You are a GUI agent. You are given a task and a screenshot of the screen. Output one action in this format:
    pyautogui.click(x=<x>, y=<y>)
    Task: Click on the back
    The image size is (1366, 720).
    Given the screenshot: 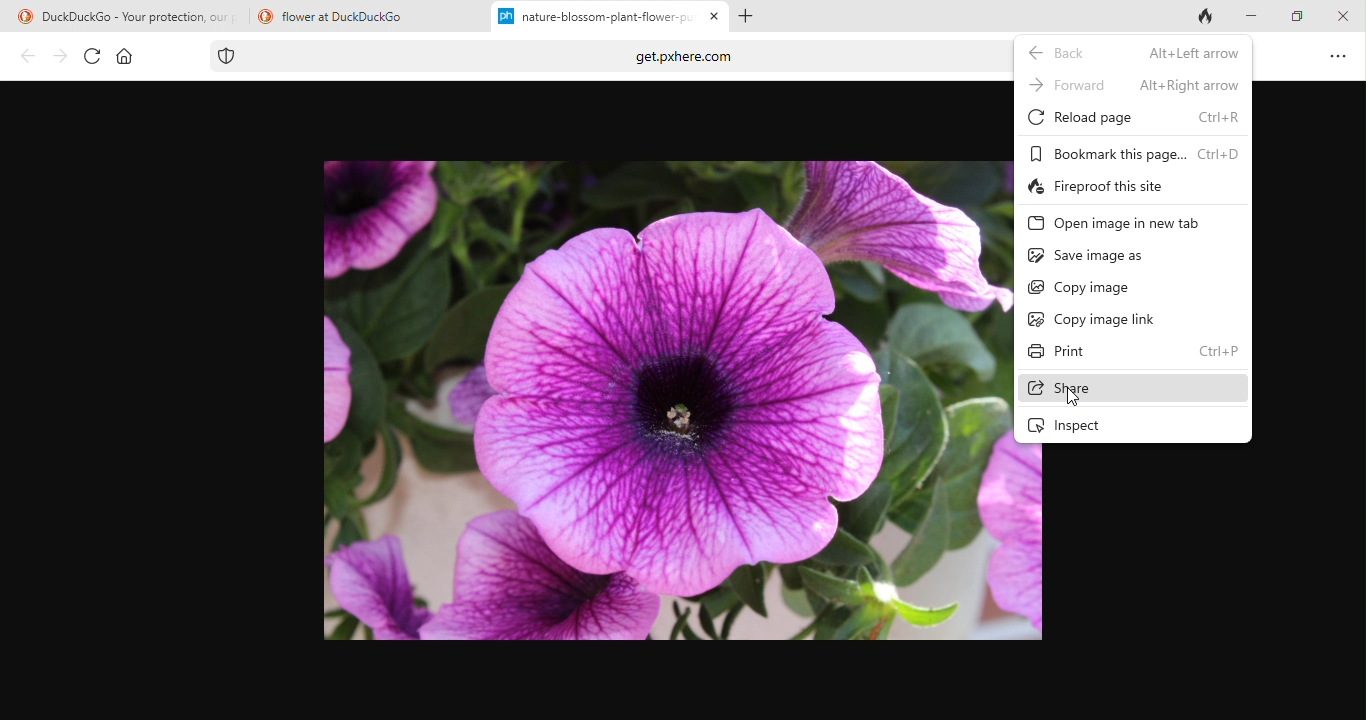 What is the action you would take?
    pyautogui.click(x=1133, y=52)
    